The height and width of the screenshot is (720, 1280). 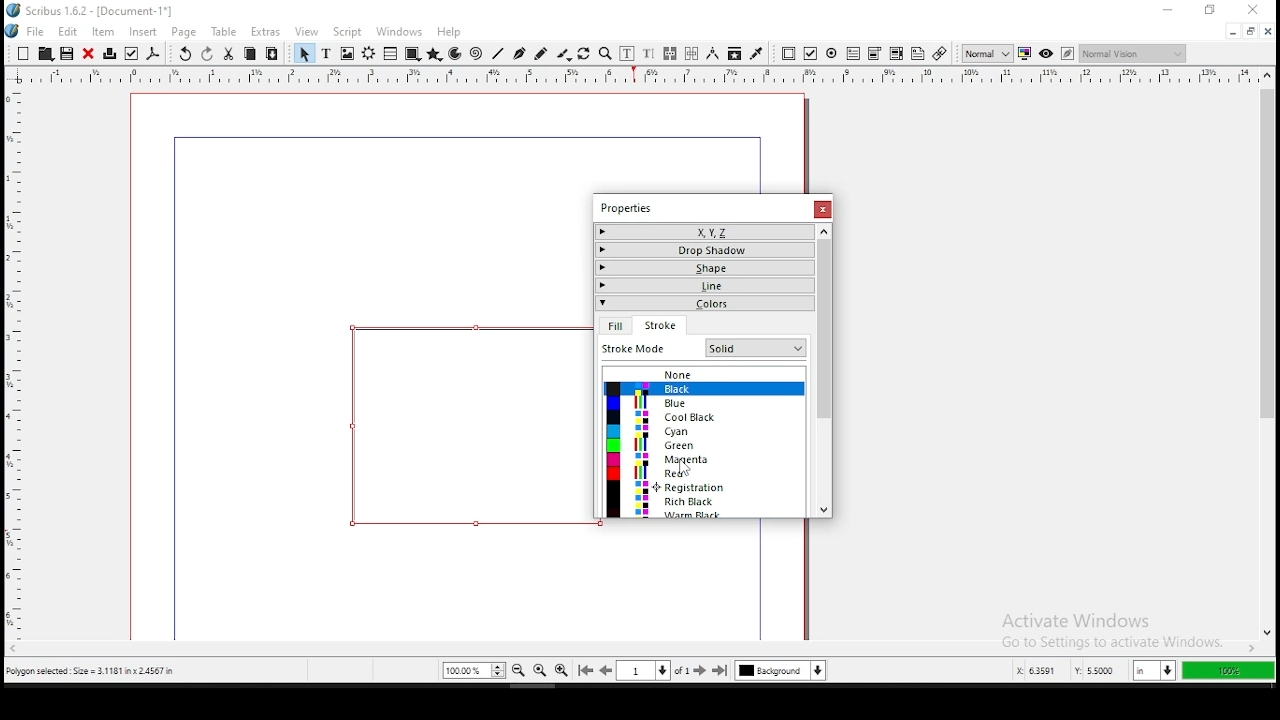 What do you see at coordinates (474, 670) in the screenshot?
I see `zoom 100%` at bounding box center [474, 670].